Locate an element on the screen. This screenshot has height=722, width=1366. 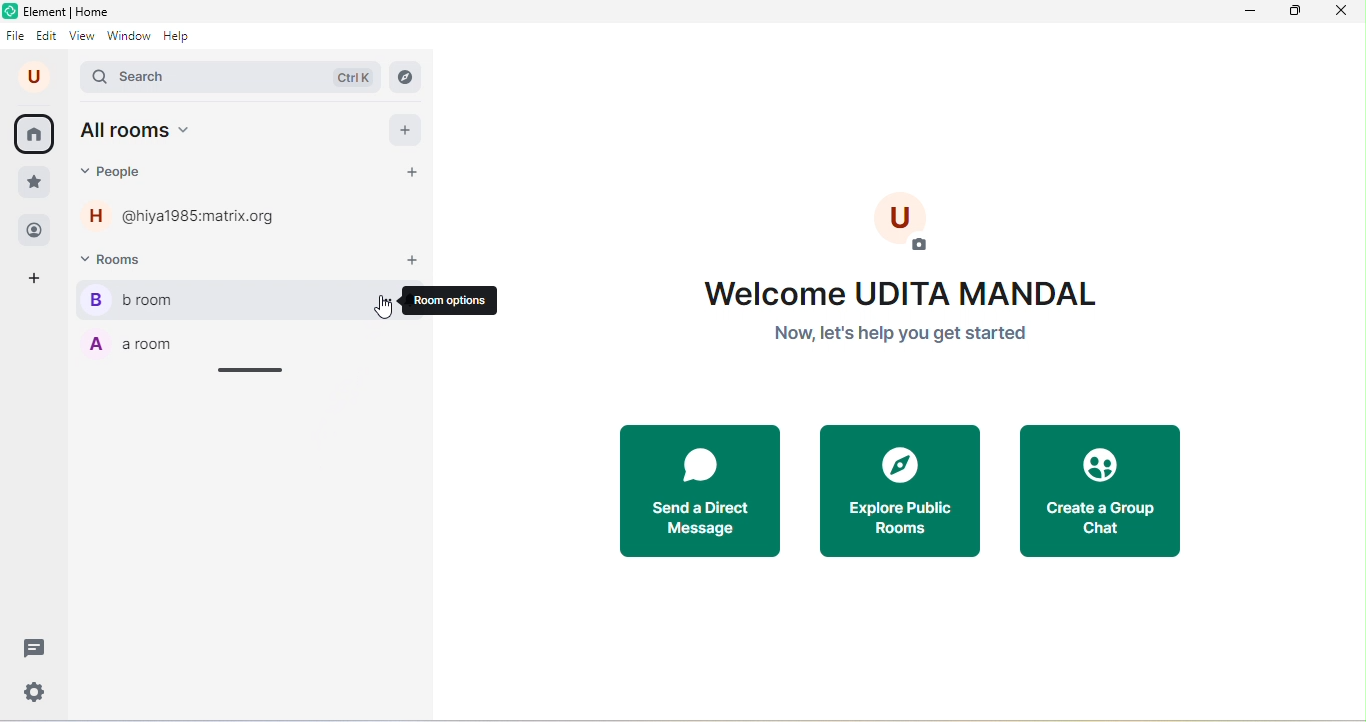
room options tooltips is located at coordinates (452, 301).